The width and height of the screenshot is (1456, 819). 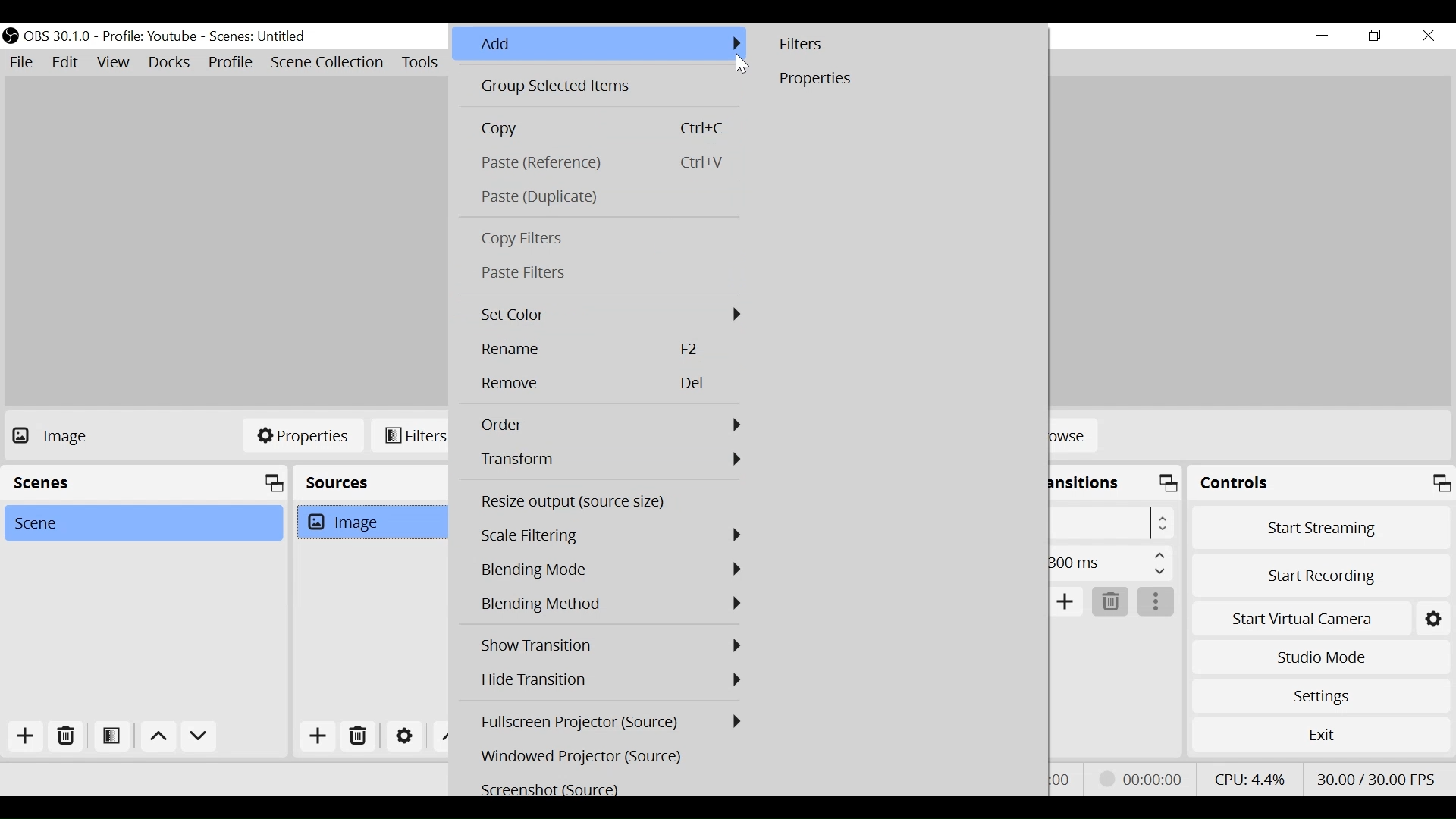 I want to click on minimize, so click(x=1322, y=36).